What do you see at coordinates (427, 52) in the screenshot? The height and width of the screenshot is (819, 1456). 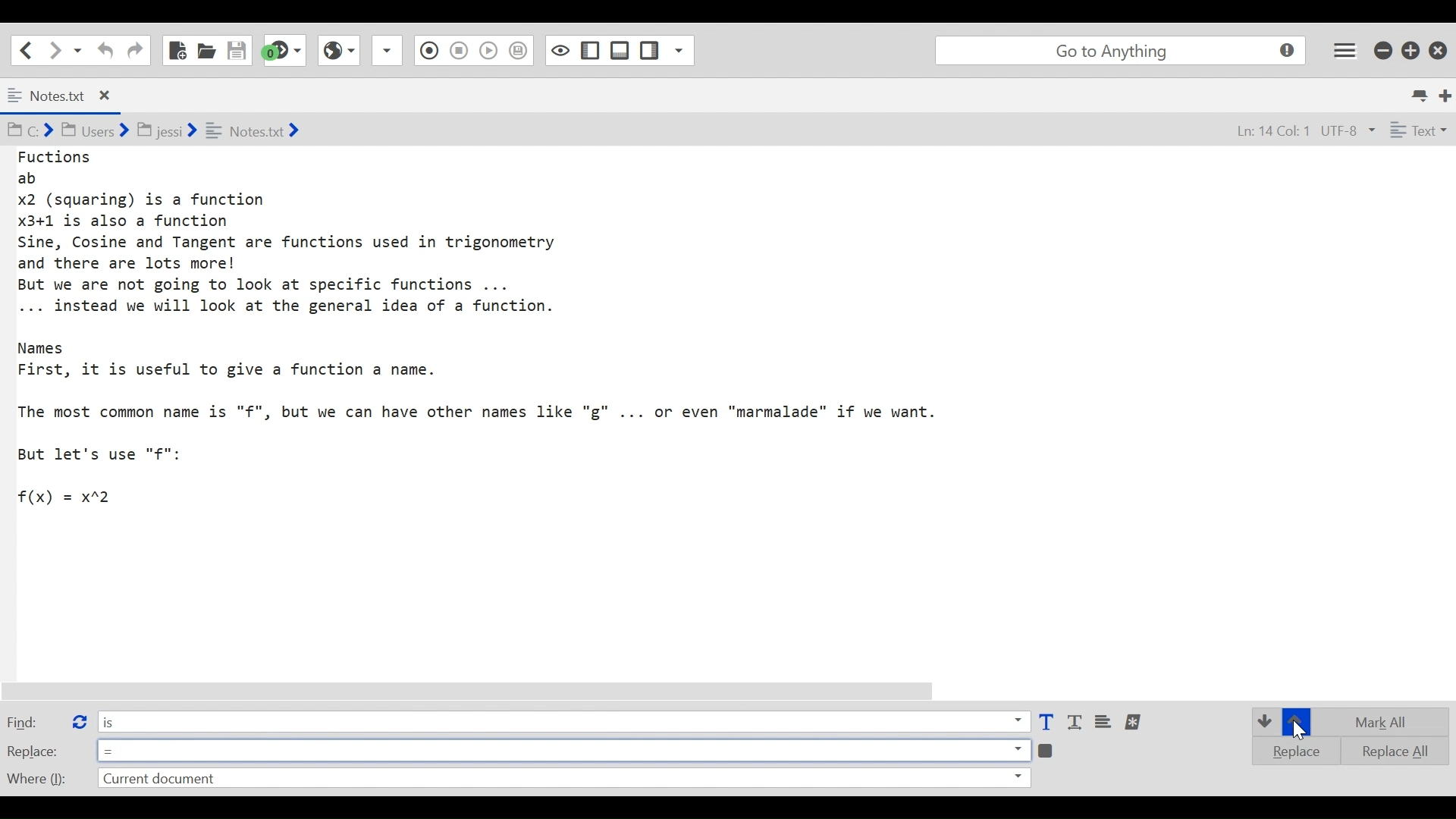 I see `Stop Recording Macro` at bounding box center [427, 52].